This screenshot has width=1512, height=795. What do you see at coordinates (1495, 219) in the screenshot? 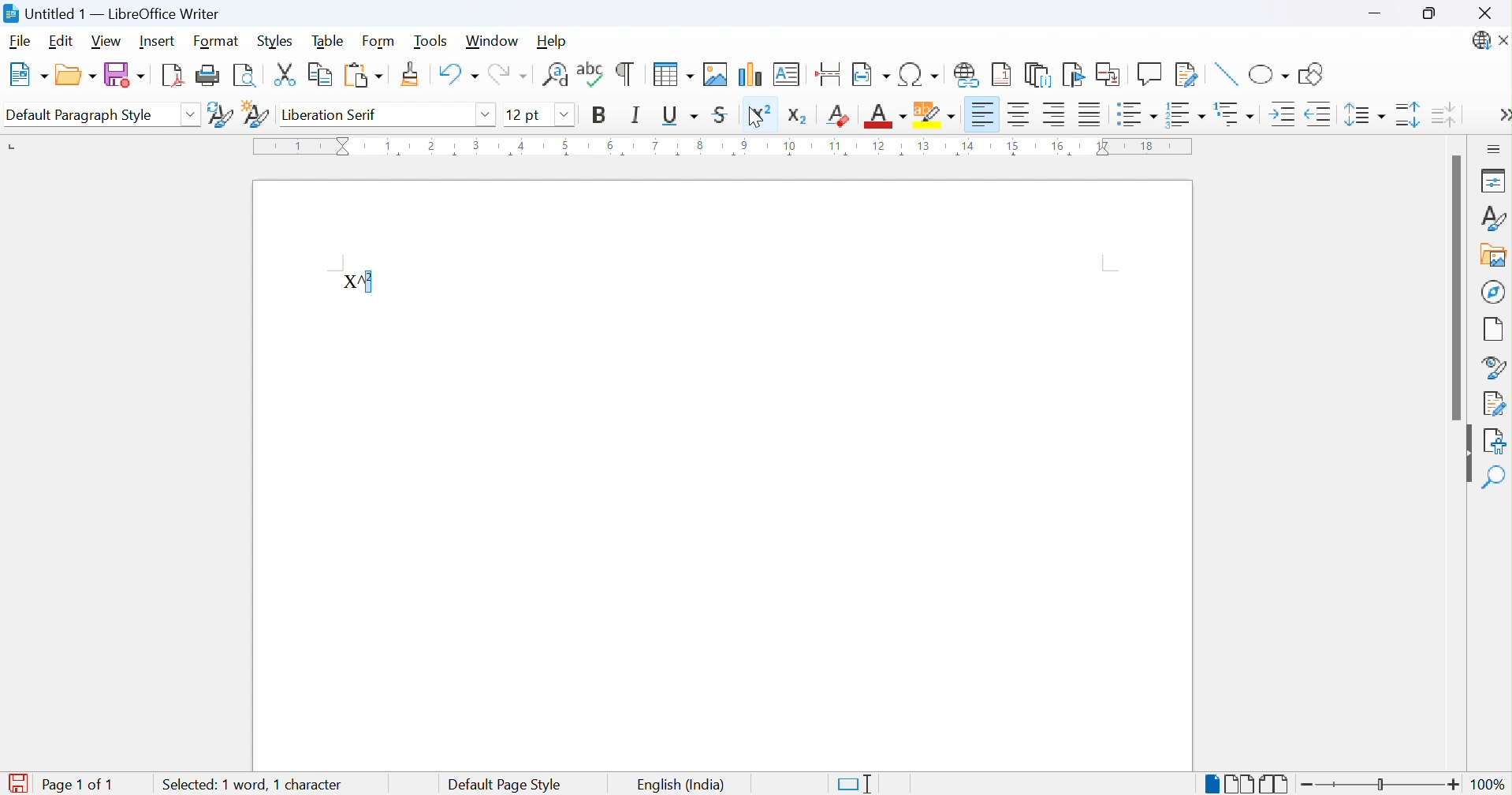
I see `Styles` at bounding box center [1495, 219].